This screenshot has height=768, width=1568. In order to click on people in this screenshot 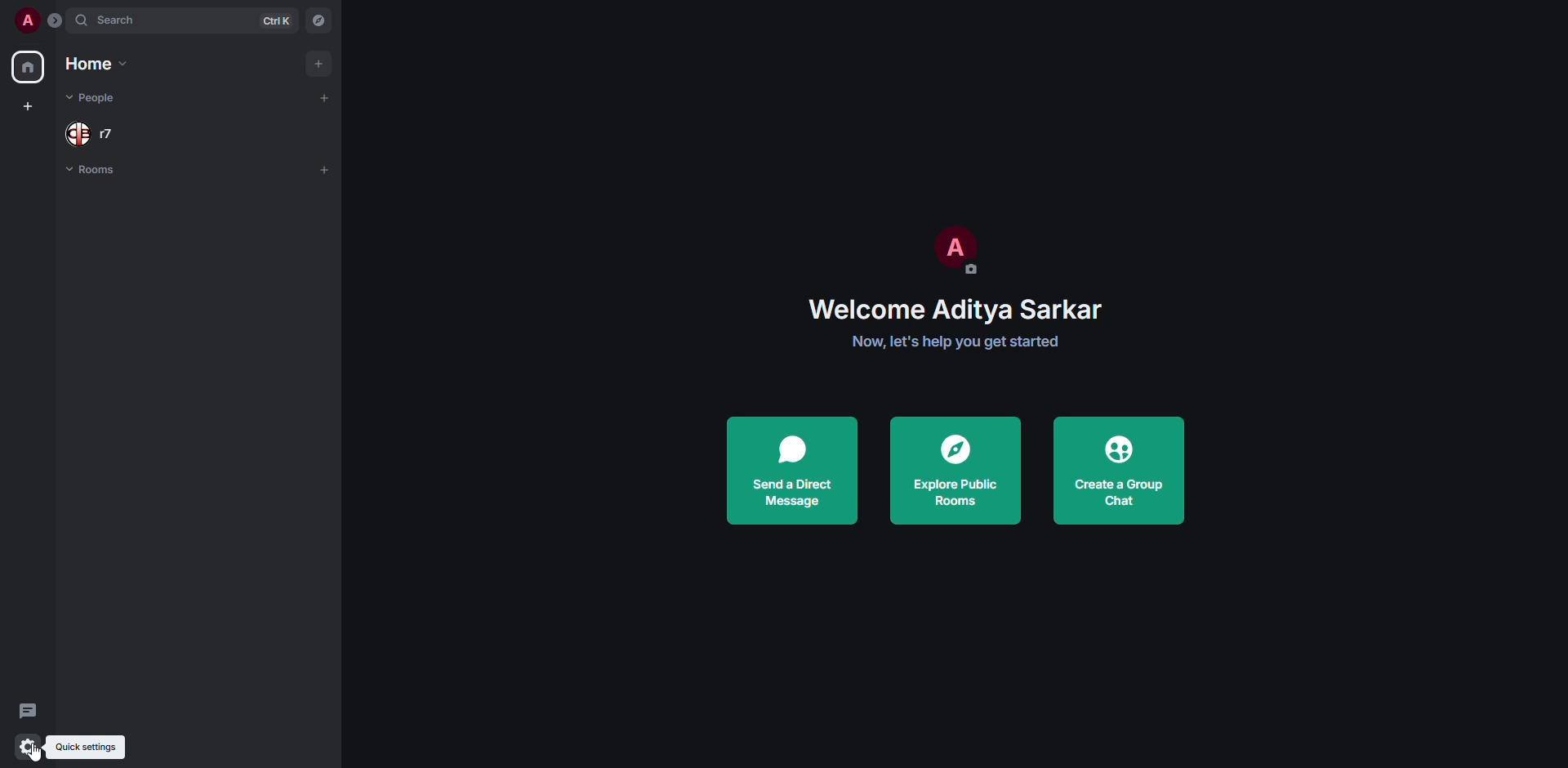, I will do `click(91, 132)`.